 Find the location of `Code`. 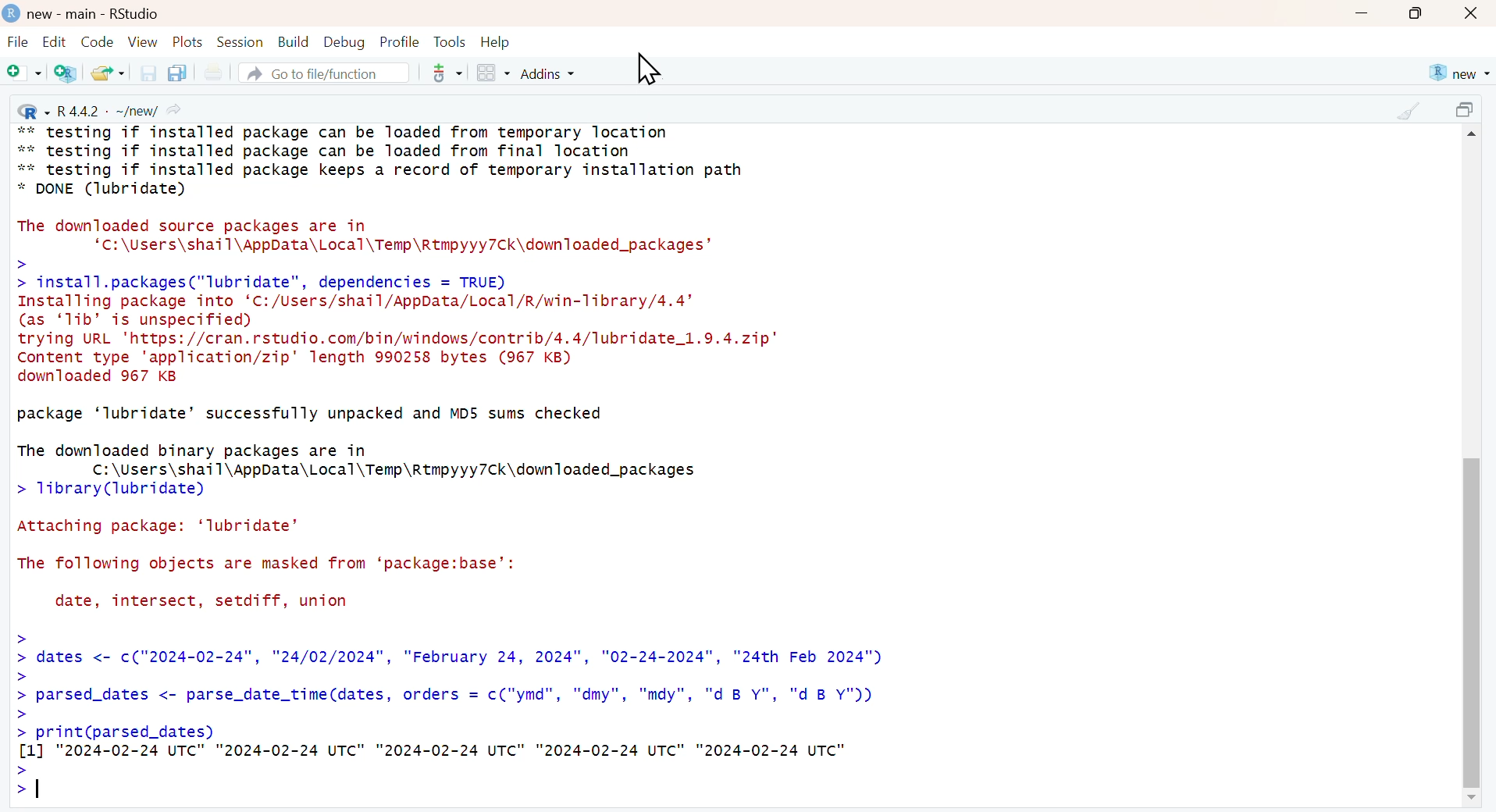

Code is located at coordinates (95, 41).